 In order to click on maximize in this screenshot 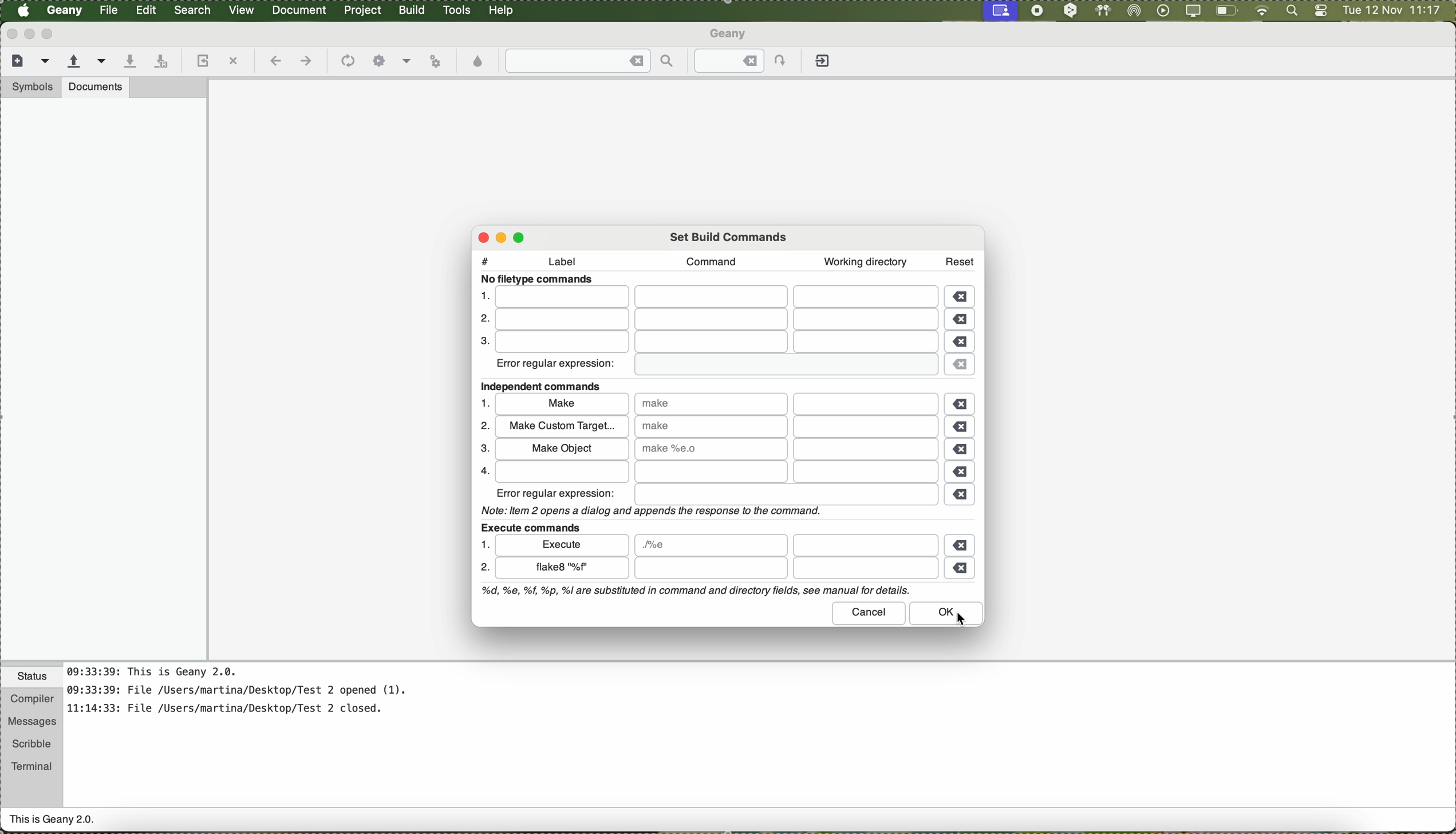, I will do `click(522, 236)`.